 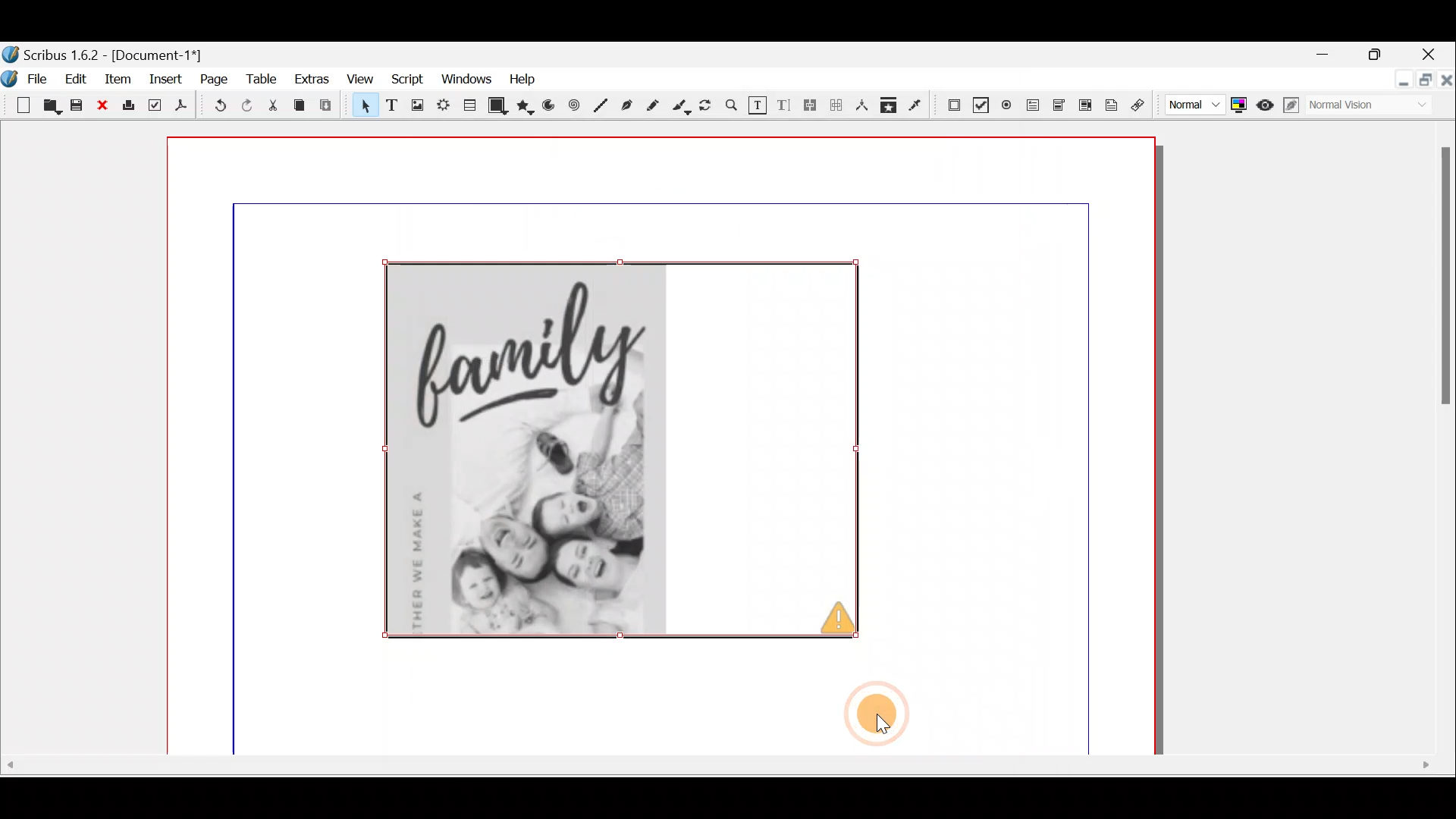 What do you see at coordinates (116, 78) in the screenshot?
I see `Item` at bounding box center [116, 78].